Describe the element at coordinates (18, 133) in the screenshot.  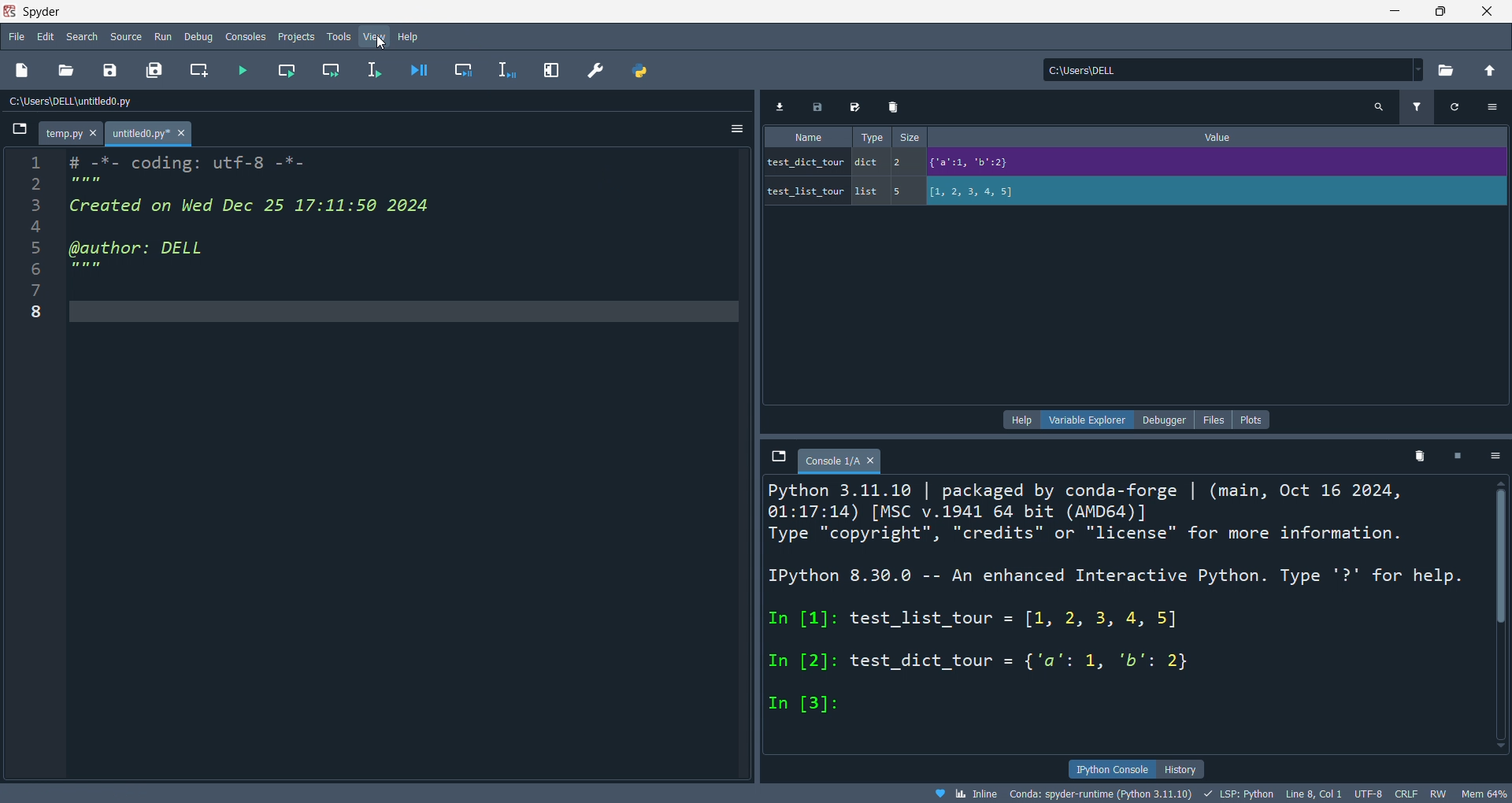
I see `browse tabs` at that location.